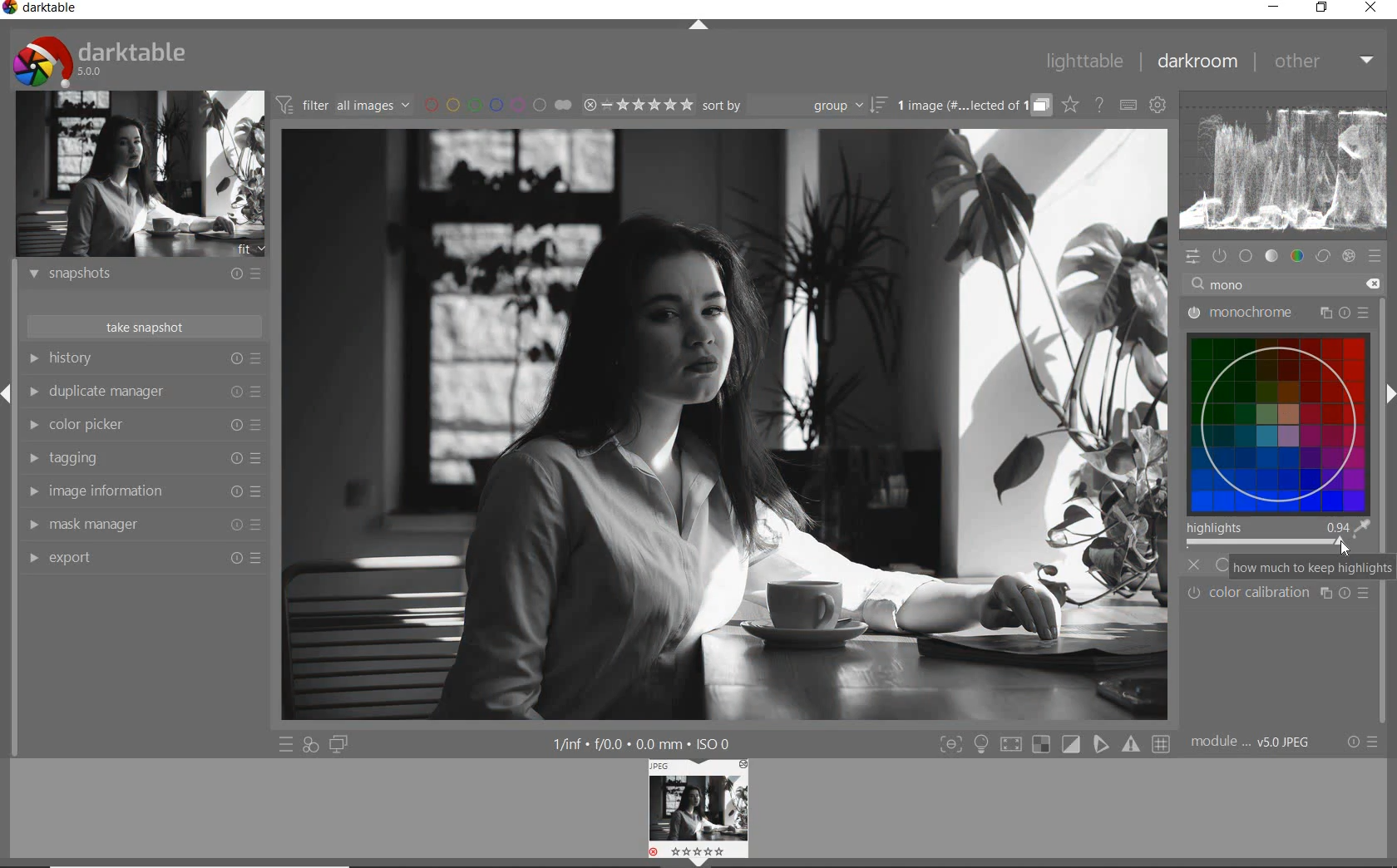  What do you see at coordinates (700, 21) in the screenshot?
I see `expand/collapse` at bounding box center [700, 21].